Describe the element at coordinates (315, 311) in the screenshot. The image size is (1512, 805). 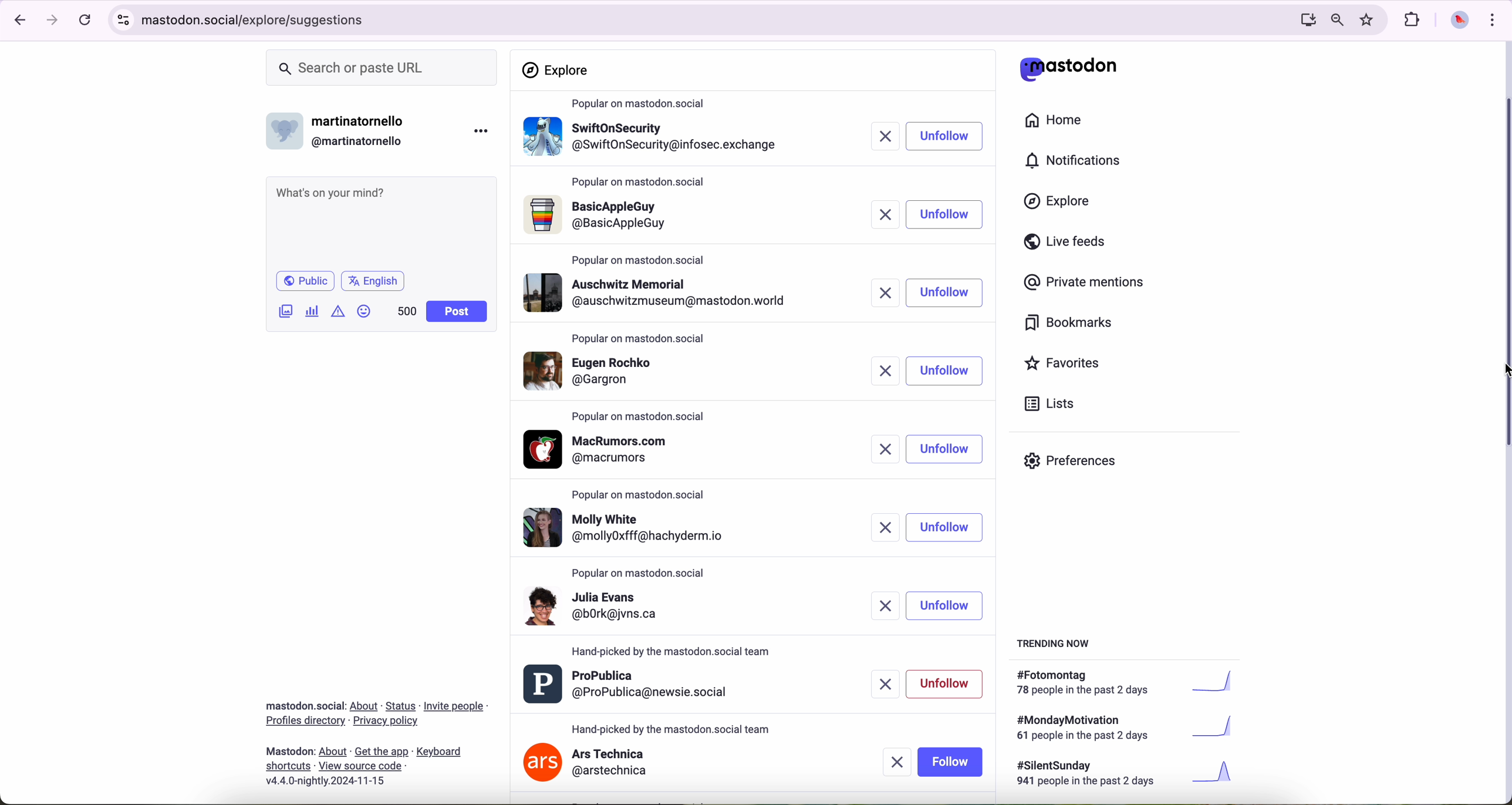
I see `charts` at that location.